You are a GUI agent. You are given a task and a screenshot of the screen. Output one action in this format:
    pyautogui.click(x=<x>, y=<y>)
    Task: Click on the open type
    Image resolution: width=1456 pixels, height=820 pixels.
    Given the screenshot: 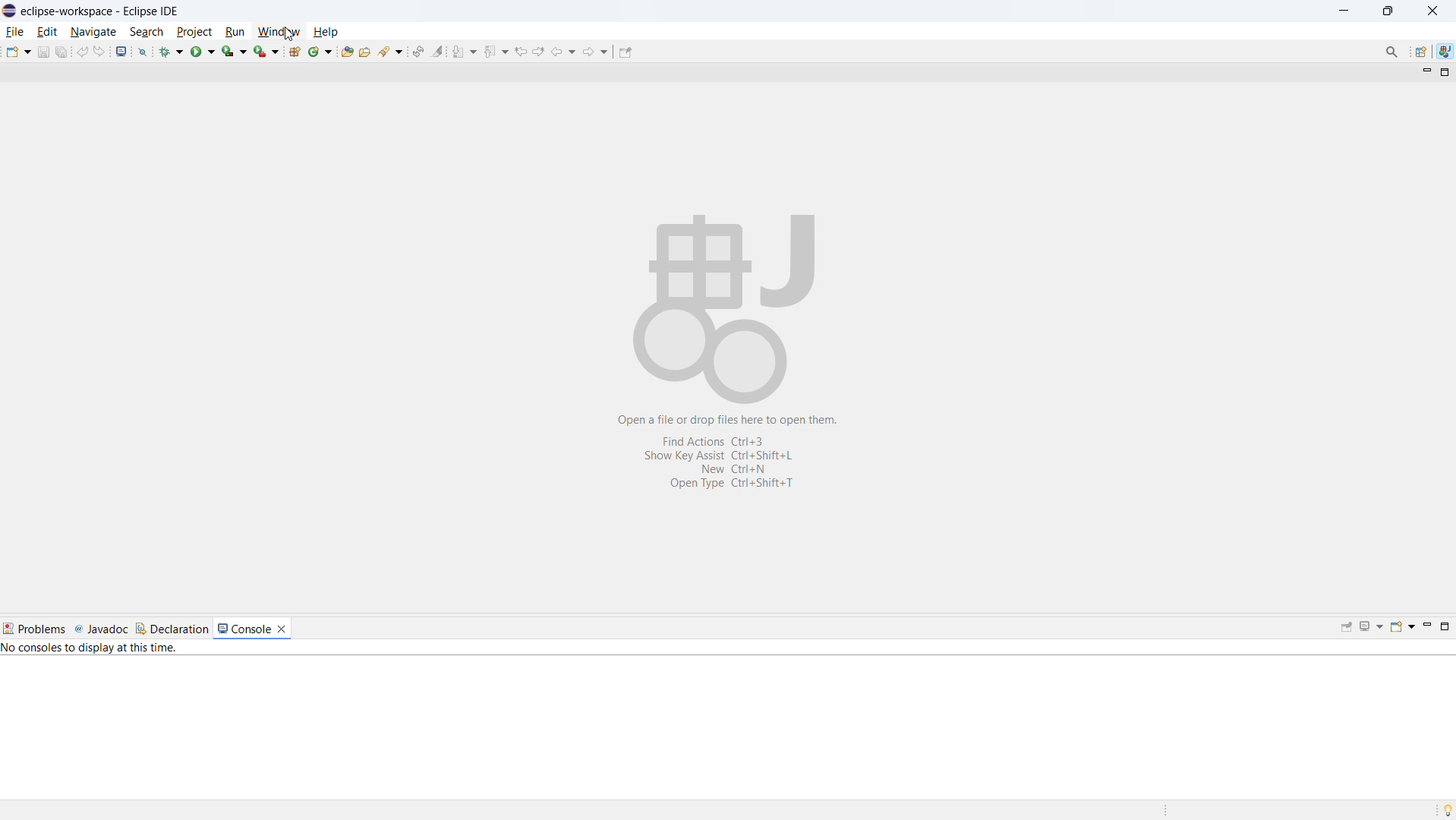 What is the action you would take?
    pyautogui.click(x=345, y=52)
    